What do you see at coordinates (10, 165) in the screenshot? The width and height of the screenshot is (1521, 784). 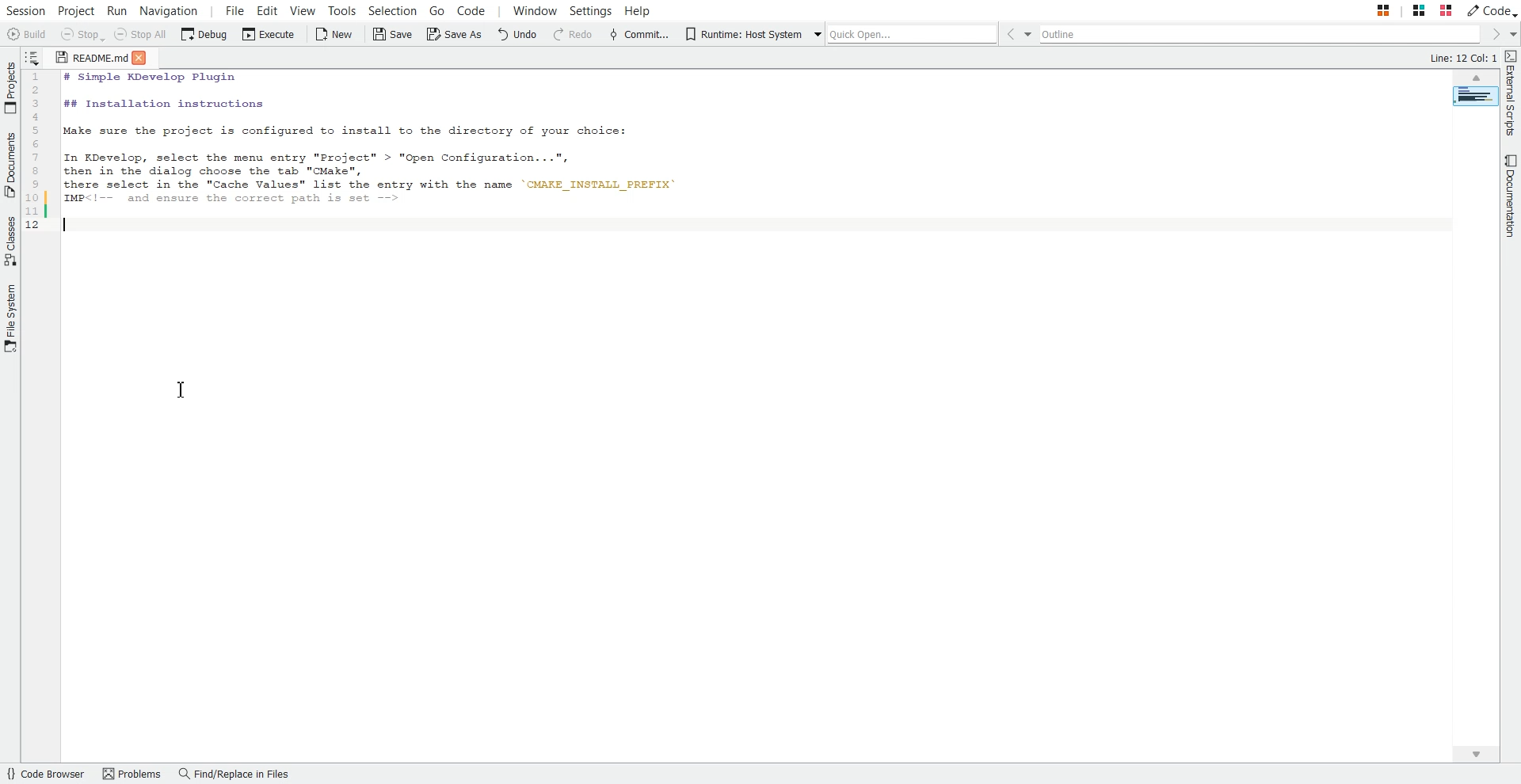 I see `Documents` at bounding box center [10, 165].